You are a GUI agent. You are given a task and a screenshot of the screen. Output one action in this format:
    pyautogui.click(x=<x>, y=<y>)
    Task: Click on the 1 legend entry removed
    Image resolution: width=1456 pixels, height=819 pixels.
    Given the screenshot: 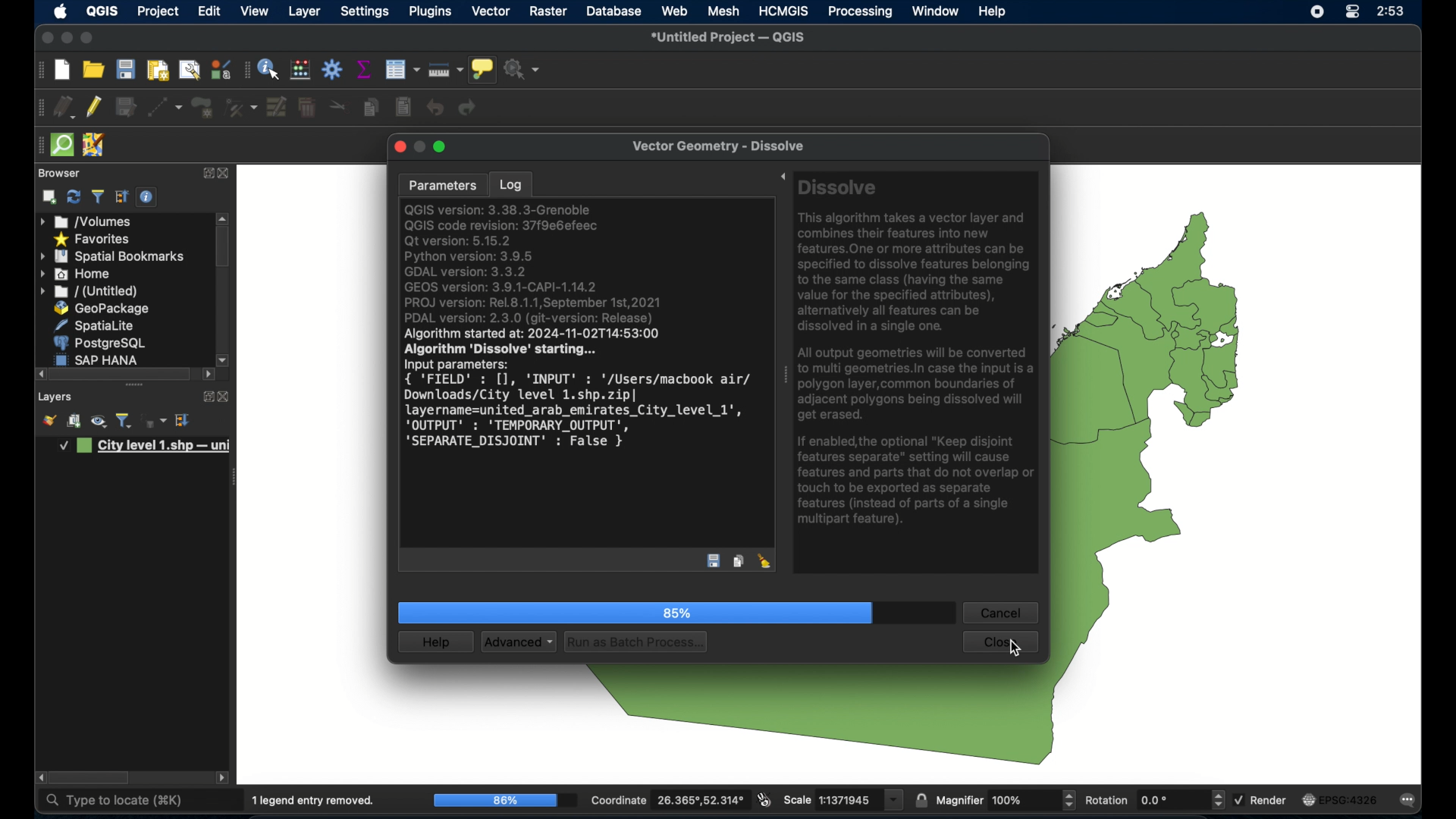 What is the action you would take?
    pyautogui.click(x=315, y=801)
    